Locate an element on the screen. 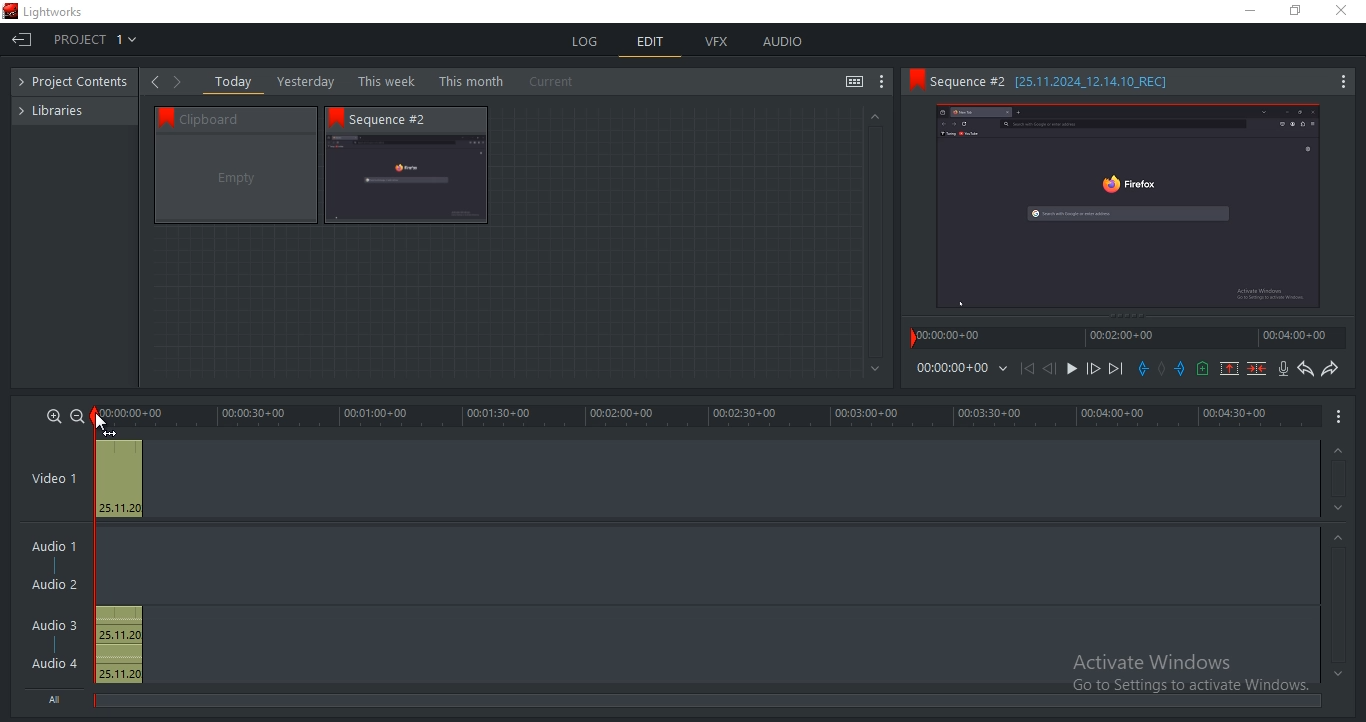  Greyed out up arrow is located at coordinates (1341, 540).